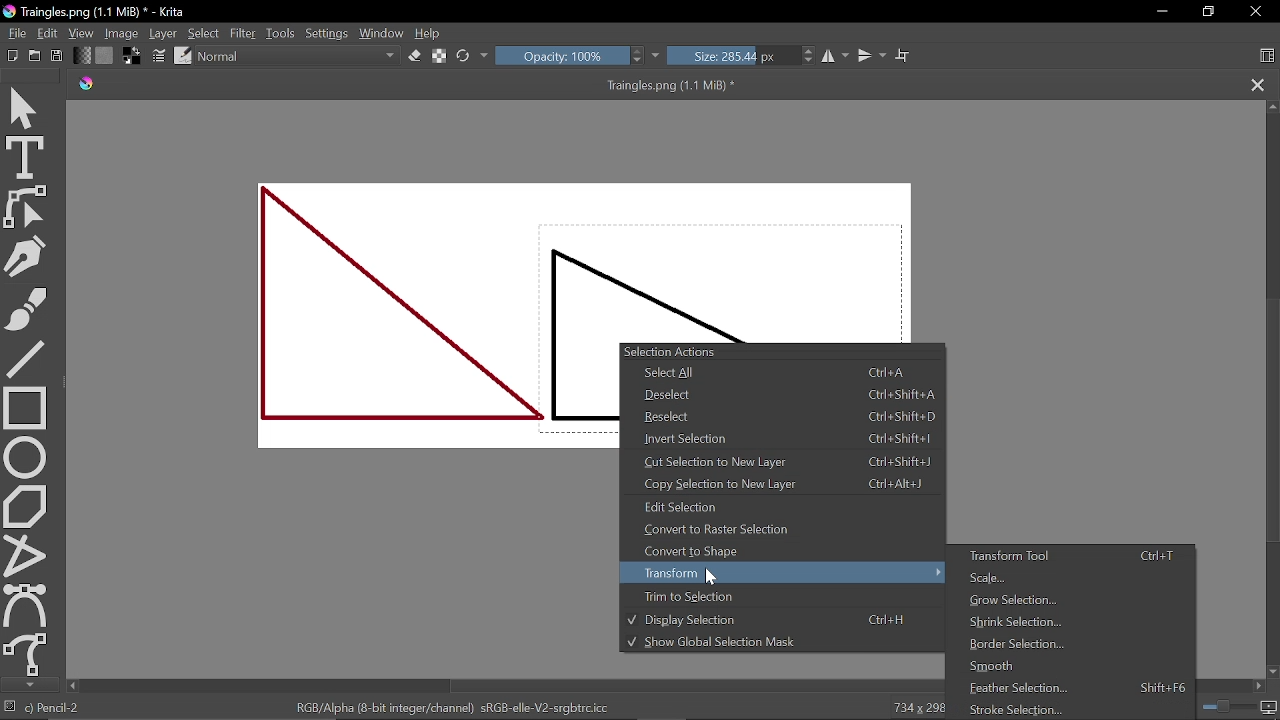 Image resolution: width=1280 pixels, height=720 pixels. What do you see at coordinates (1068, 580) in the screenshot?
I see `Scale` at bounding box center [1068, 580].